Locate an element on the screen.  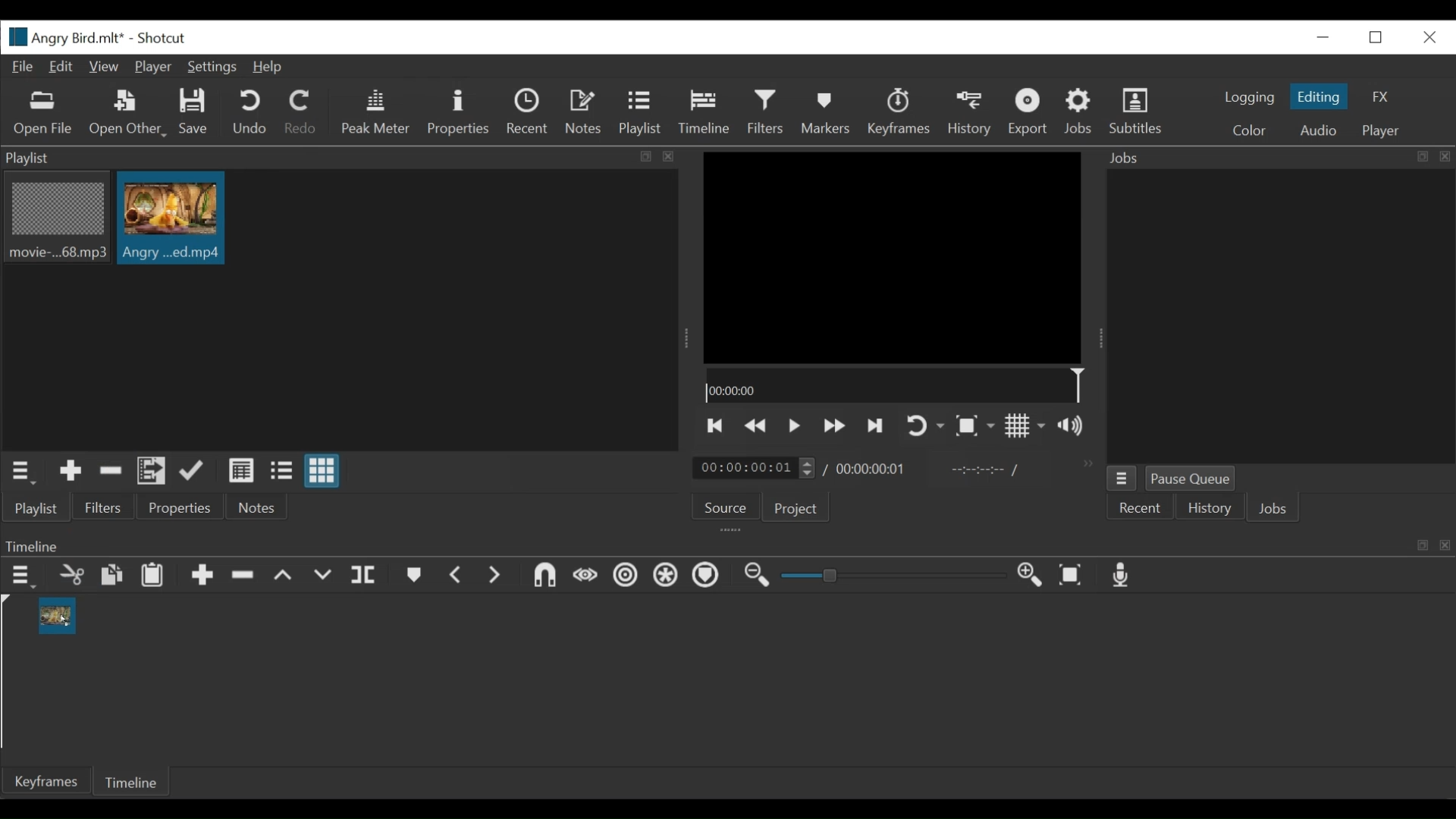
Project is located at coordinates (797, 509).